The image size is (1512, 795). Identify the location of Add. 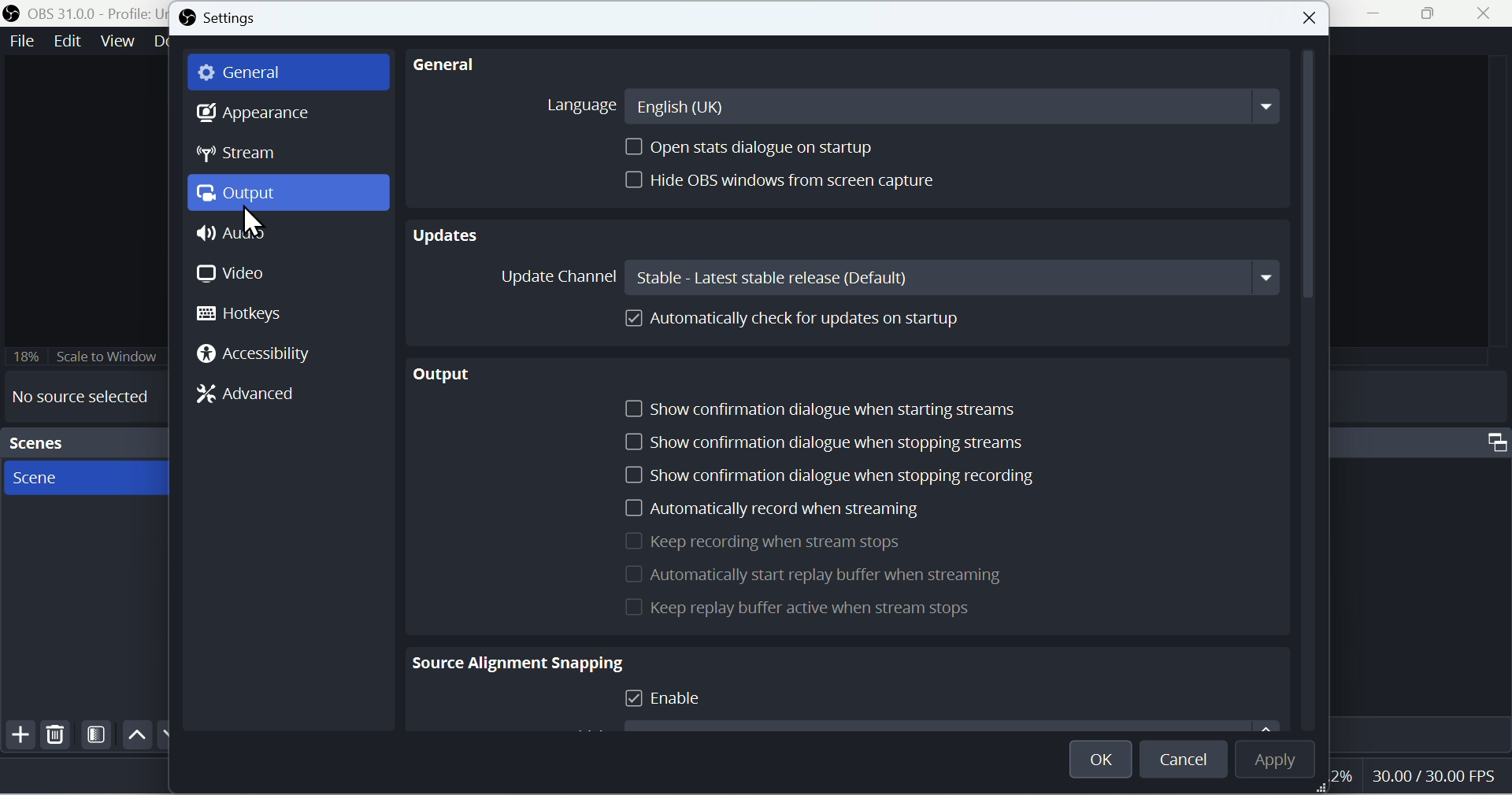
(18, 738).